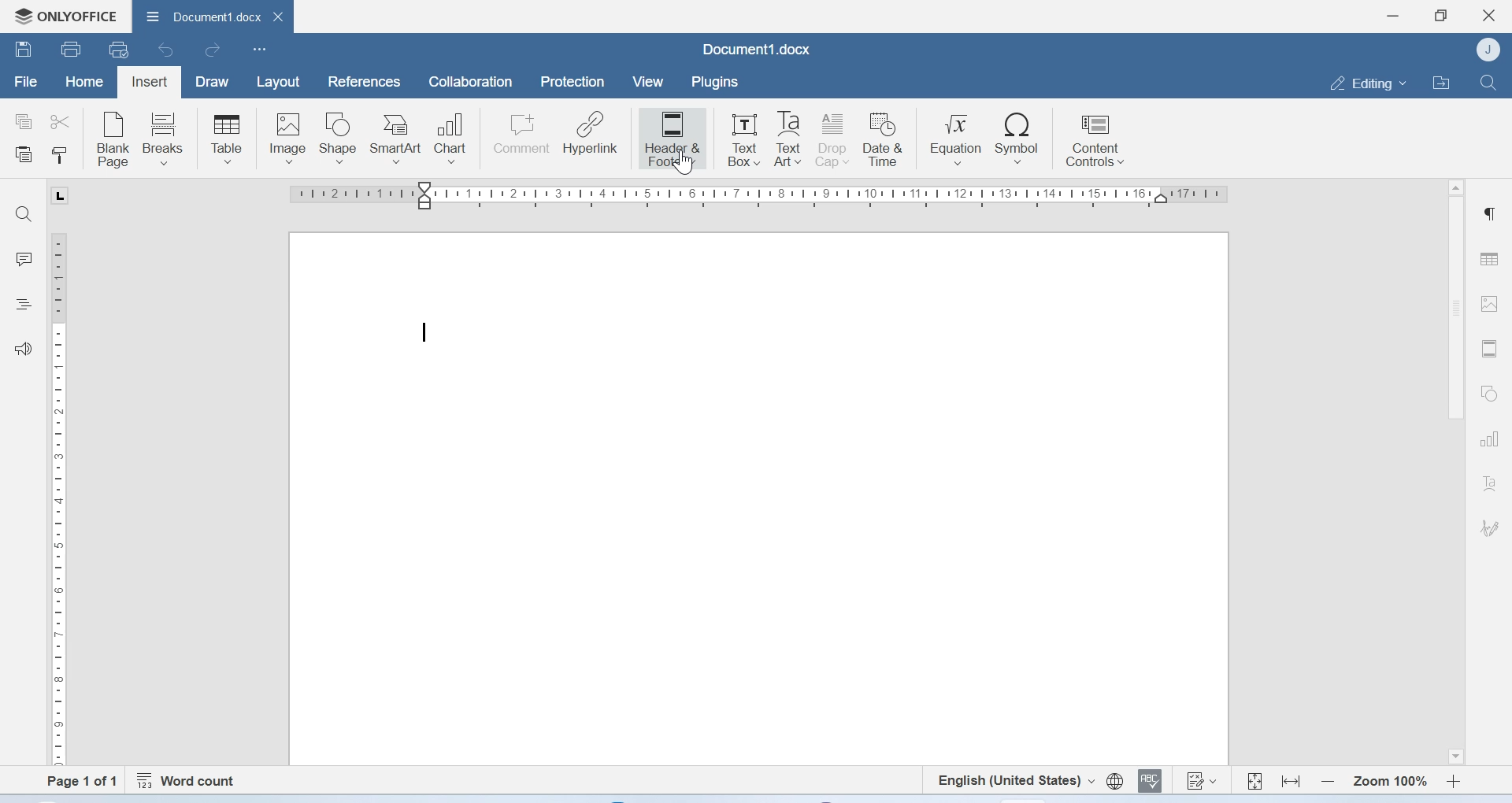  Describe the element at coordinates (1488, 526) in the screenshot. I see `Signature` at that location.